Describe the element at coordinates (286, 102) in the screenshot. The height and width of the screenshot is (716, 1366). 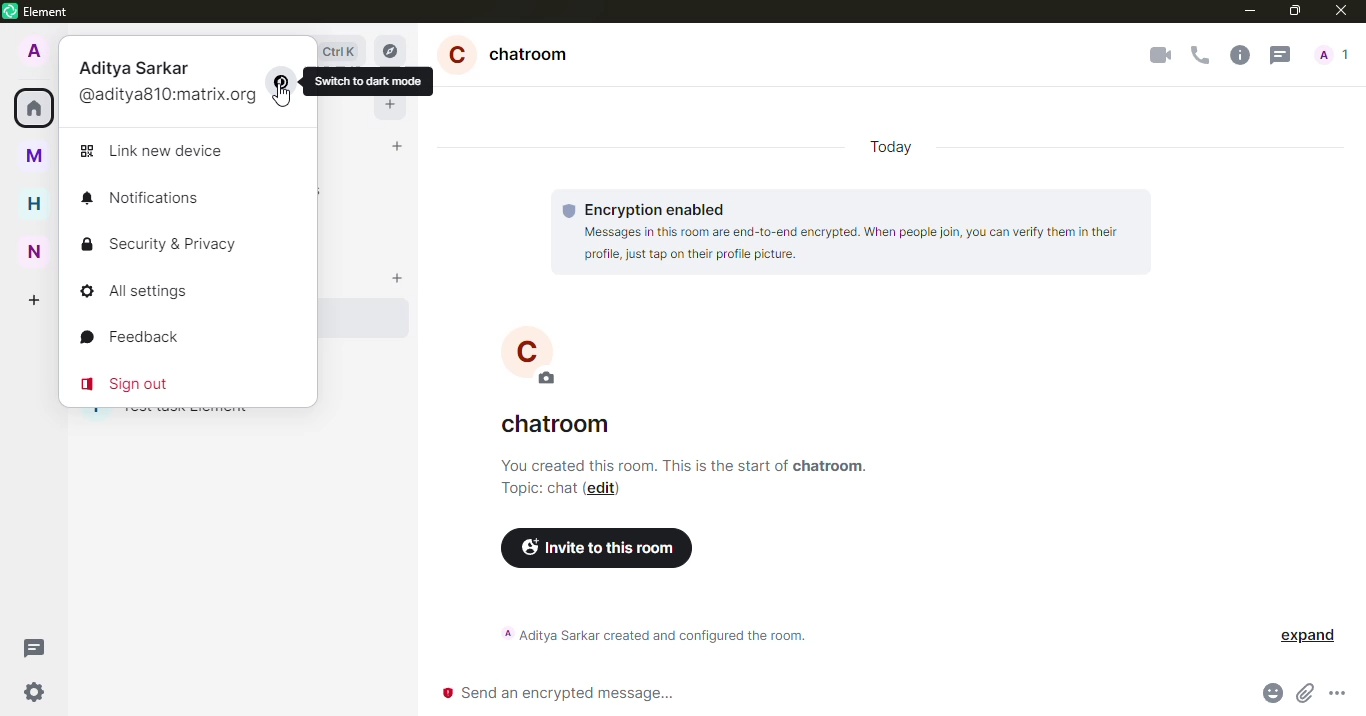
I see `cursor` at that location.